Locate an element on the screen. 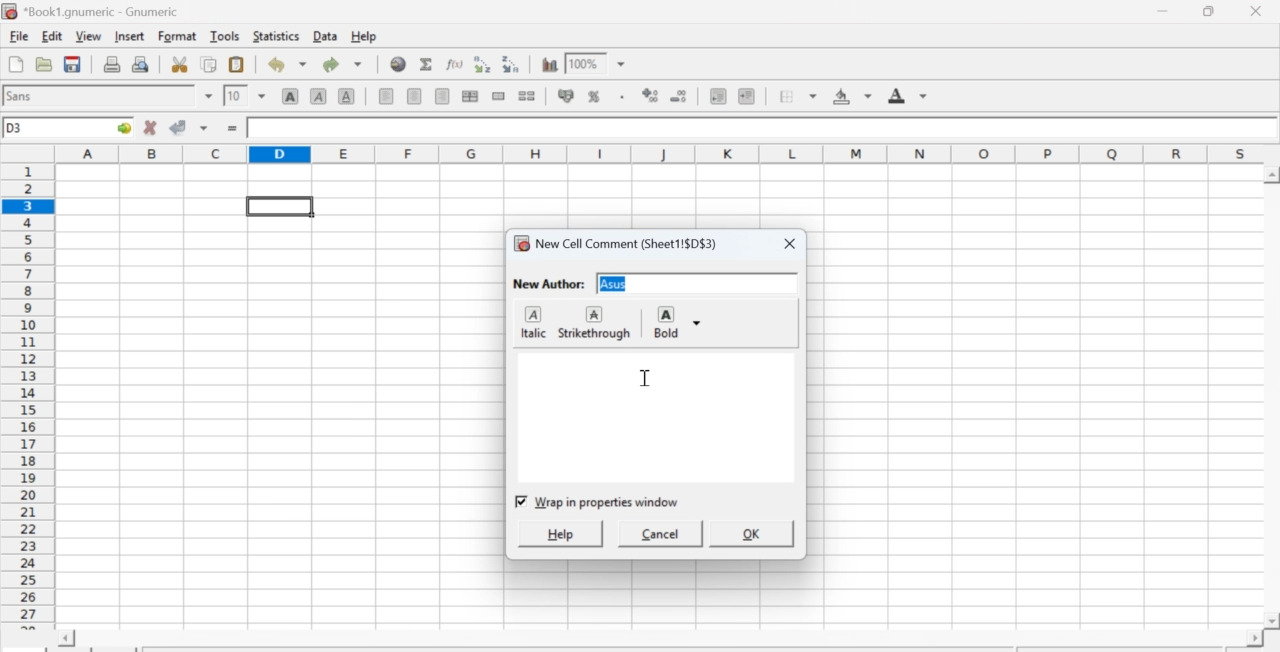  Undo is located at coordinates (285, 64).